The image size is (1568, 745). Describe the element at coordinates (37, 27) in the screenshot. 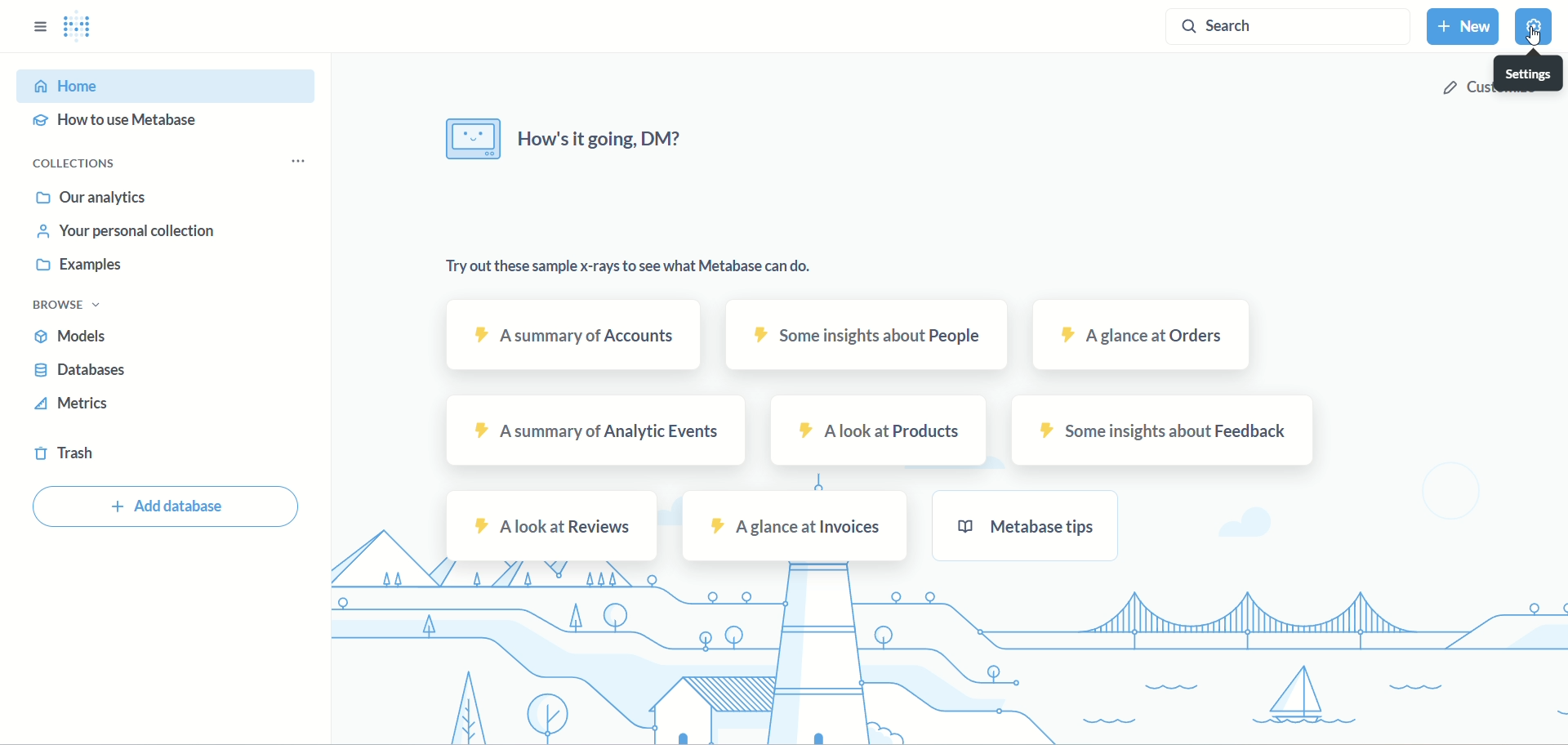

I see `options` at that location.